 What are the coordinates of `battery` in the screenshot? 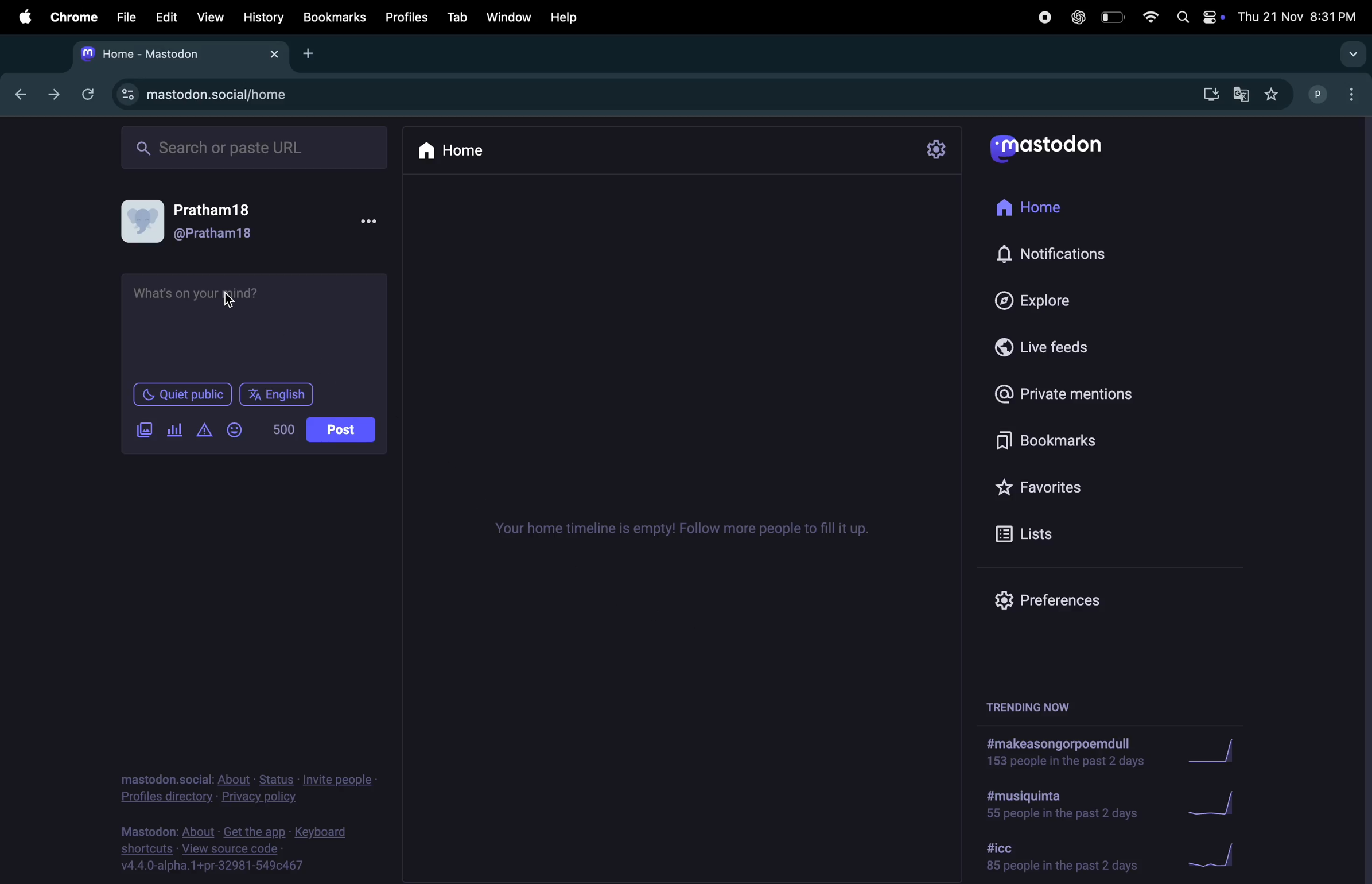 It's located at (1113, 18).